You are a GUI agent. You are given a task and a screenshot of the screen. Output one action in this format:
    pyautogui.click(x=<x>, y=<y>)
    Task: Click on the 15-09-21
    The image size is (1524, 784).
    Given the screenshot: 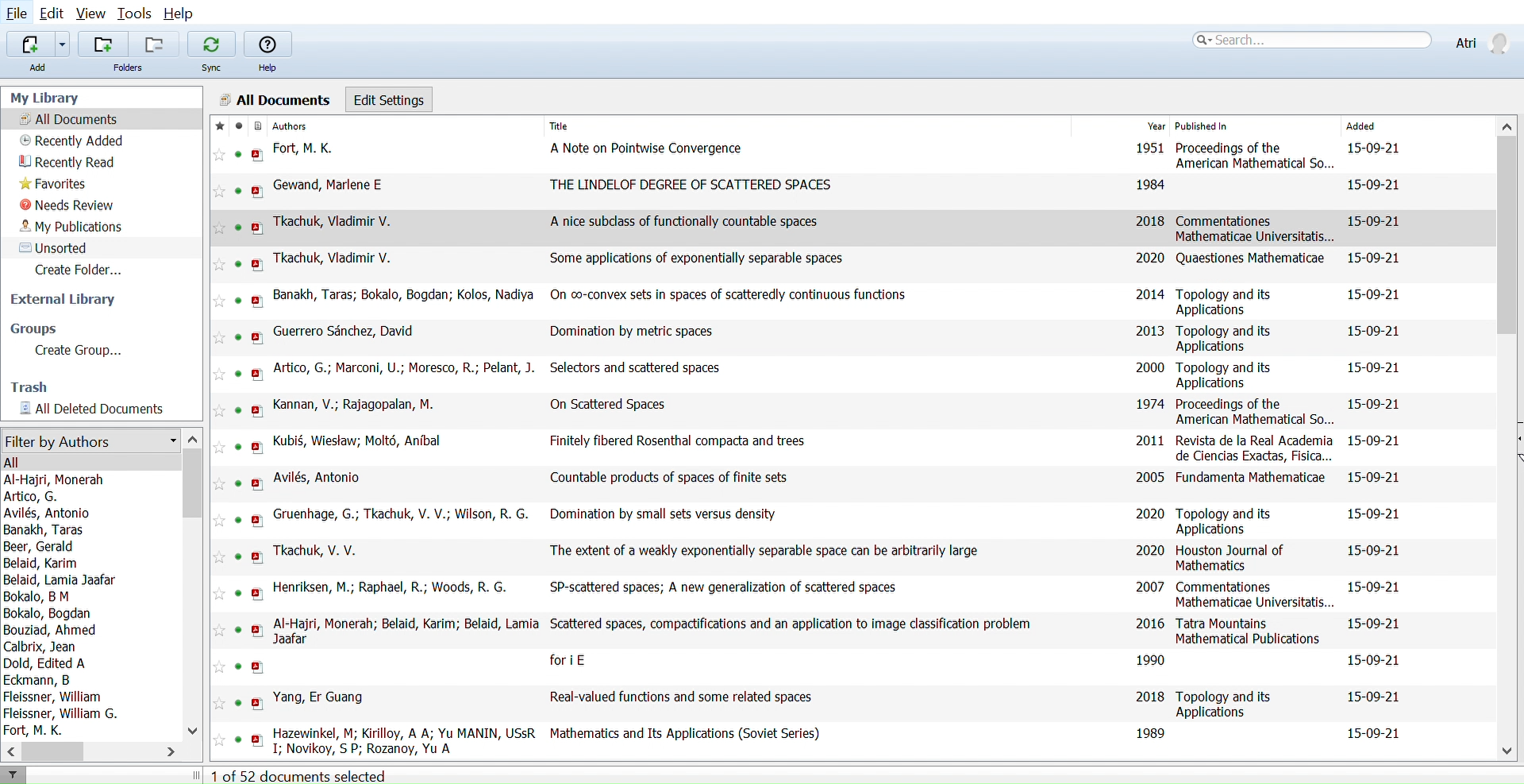 What is the action you would take?
    pyautogui.click(x=1370, y=294)
    